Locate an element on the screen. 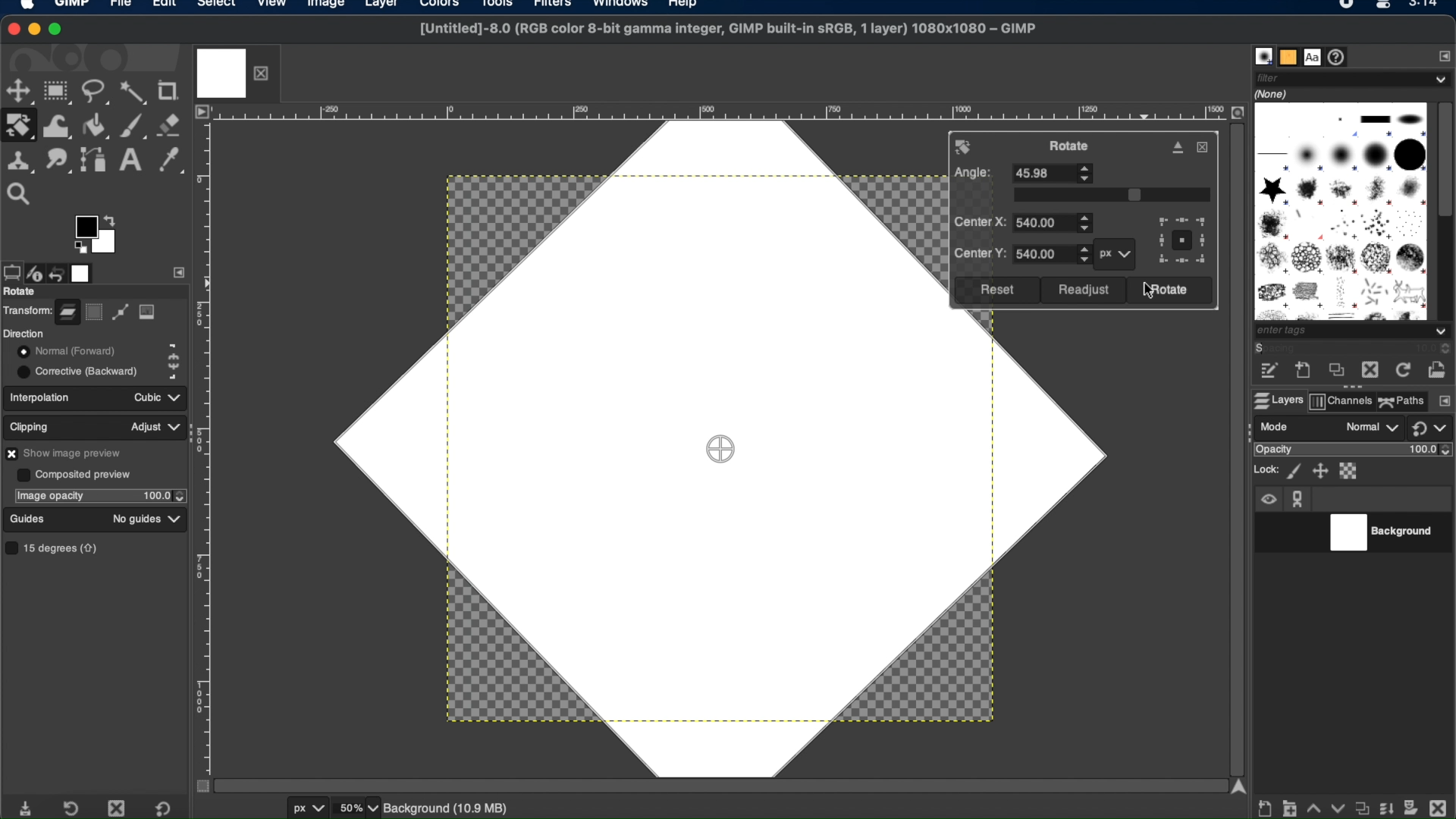  opacity level stepper buttons is located at coordinates (1432, 450).